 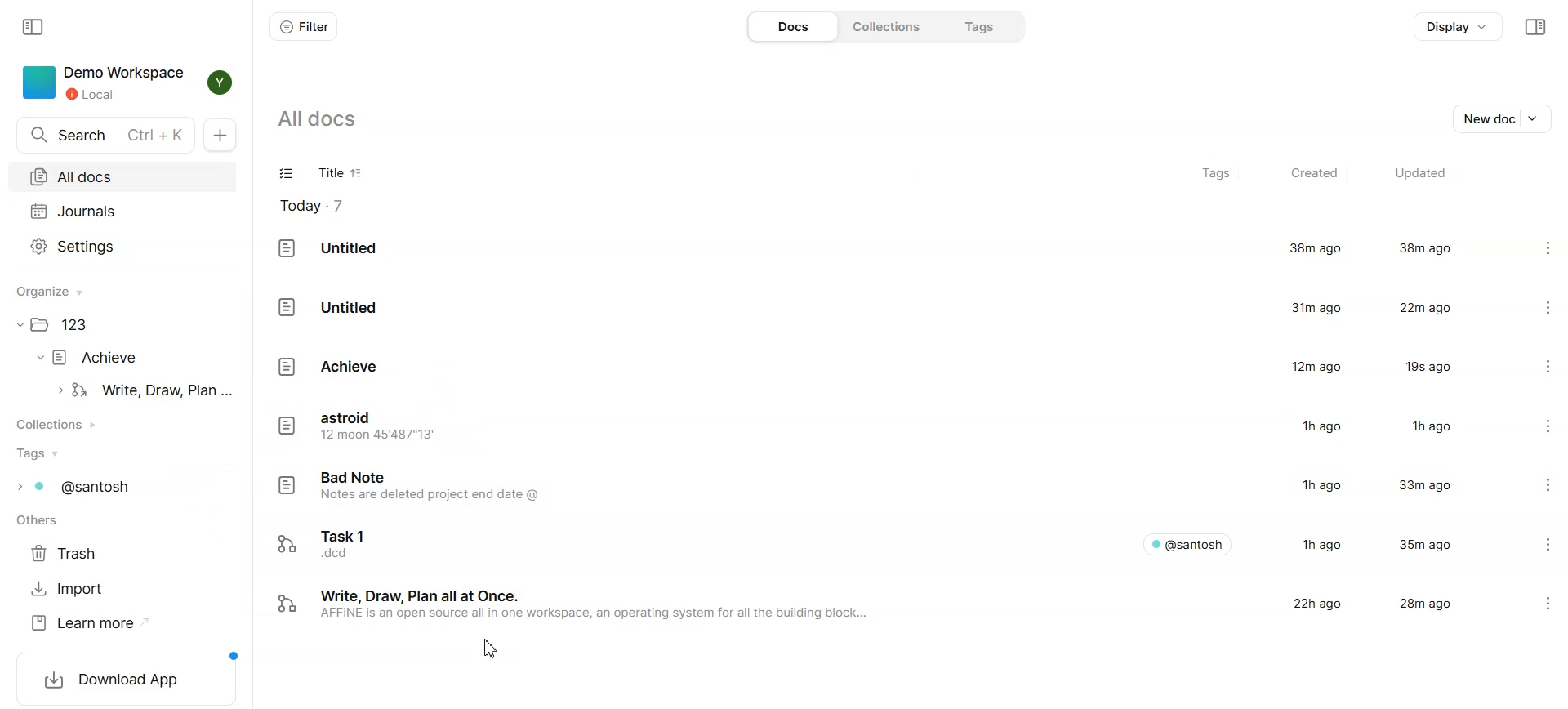 I want to click on Sort, so click(x=358, y=174).